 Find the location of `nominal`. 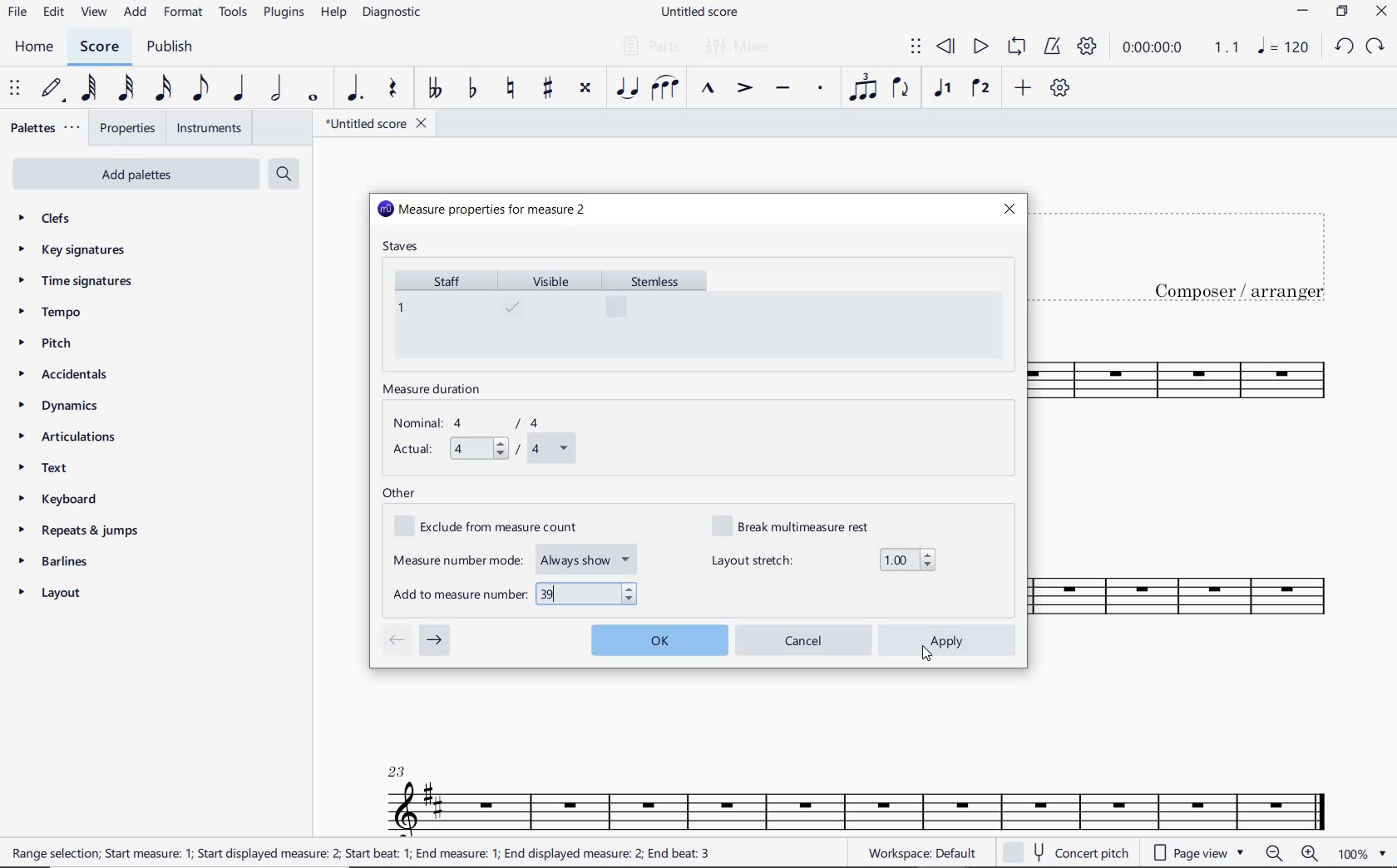

nominal is located at coordinates (475, 423).